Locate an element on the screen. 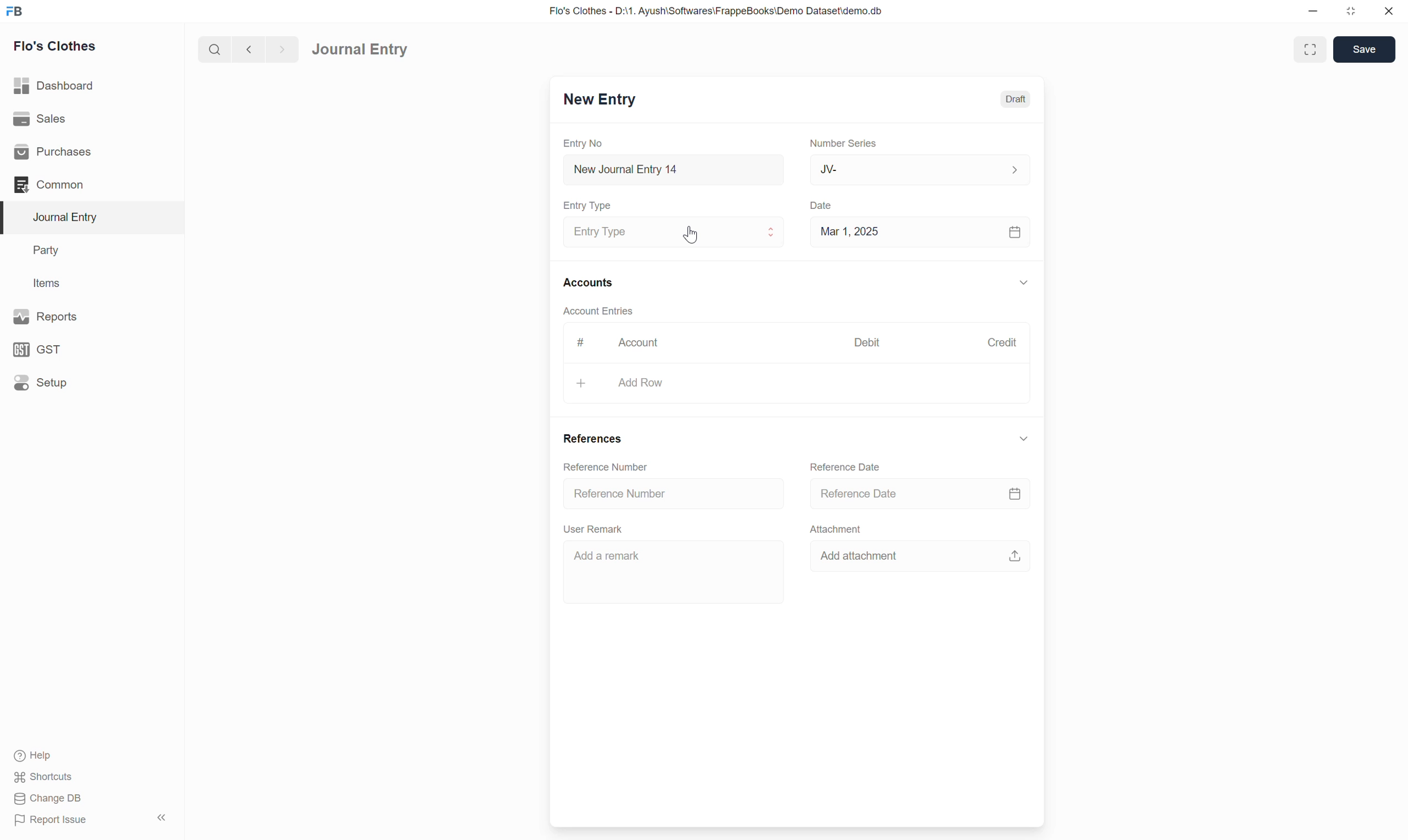  forward is located at coordinates (280, 50).